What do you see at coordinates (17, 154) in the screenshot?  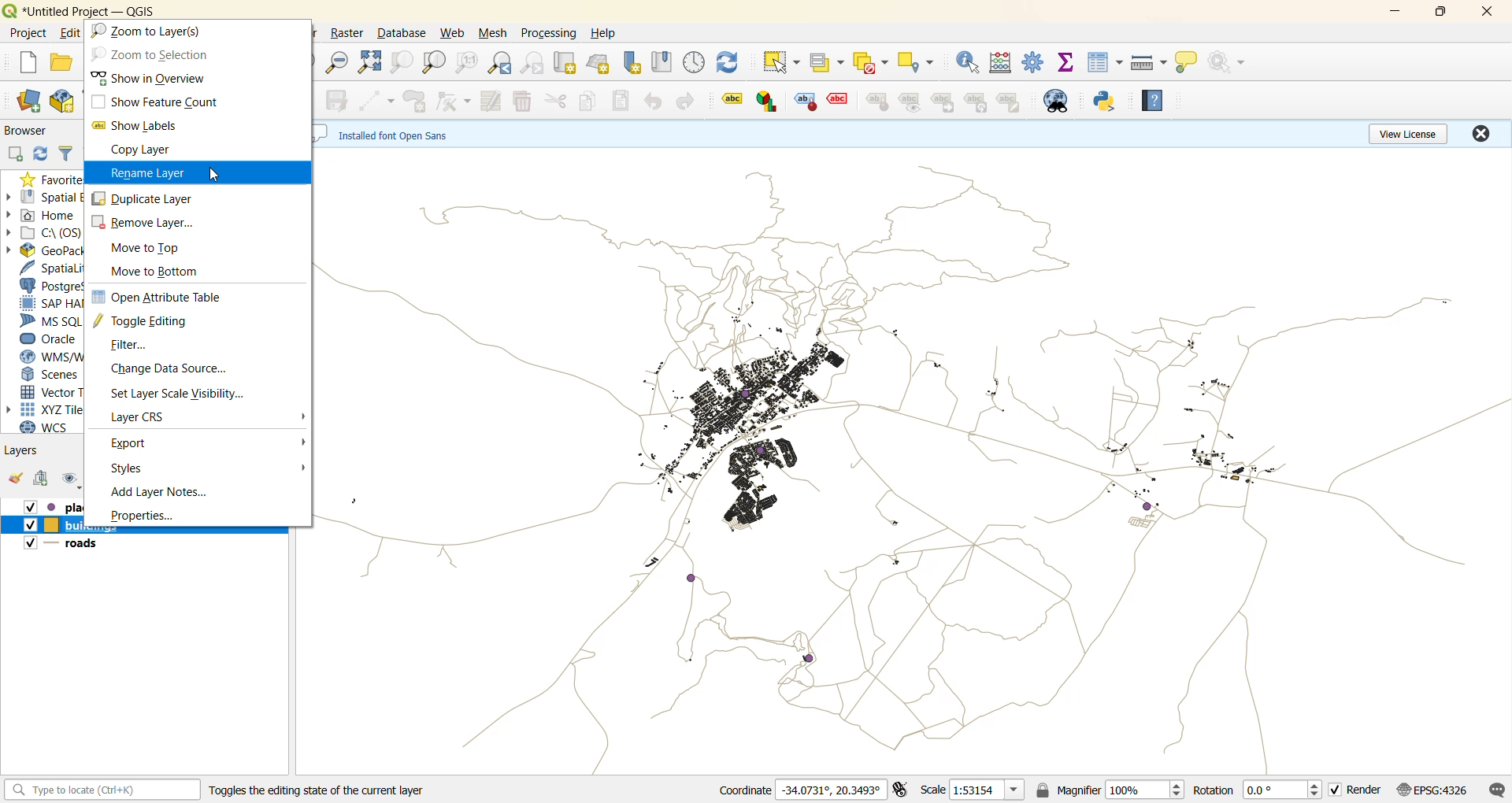 I see `add` at bounding box center [17, 154].